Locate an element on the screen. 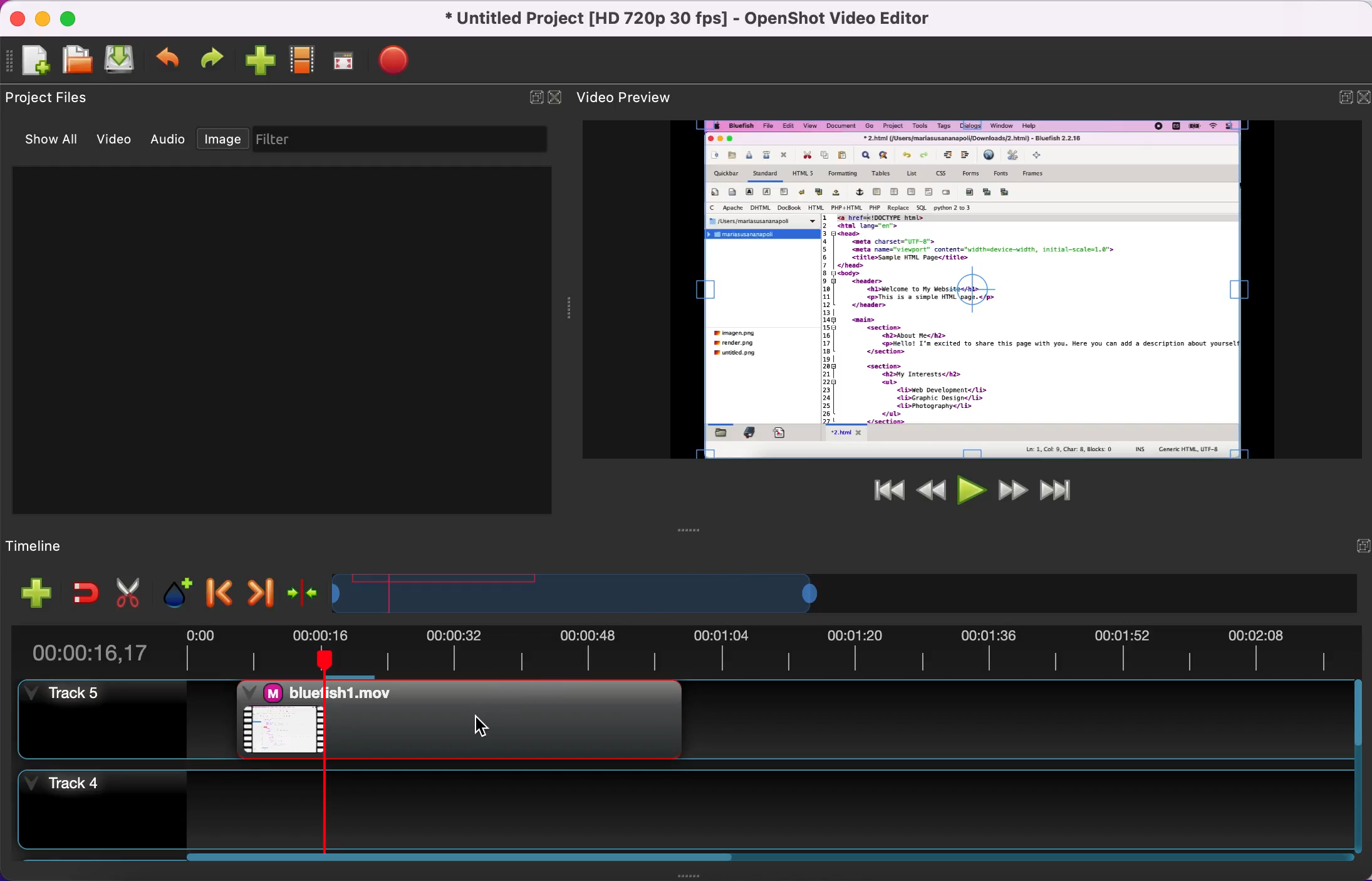 The width and height of the screenshot is (1372, 881). jump to start is located at coordinates (881, 496).